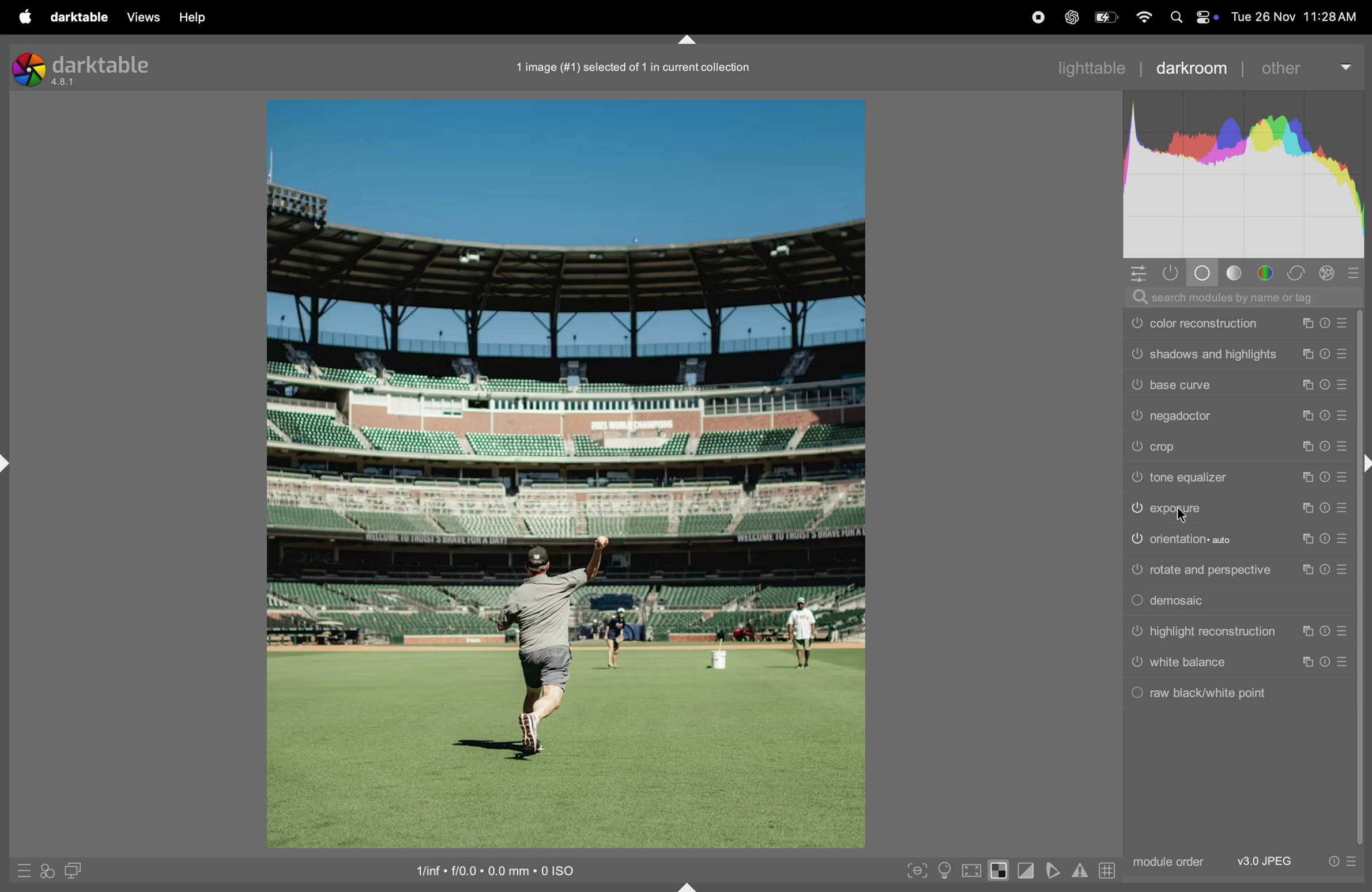 The width and height of the screenshot is (1372, 892). What do you see at coordinates (1136, 570) in the screenshot?
I see `Switch on or off` at bounding box center [1136, 570].